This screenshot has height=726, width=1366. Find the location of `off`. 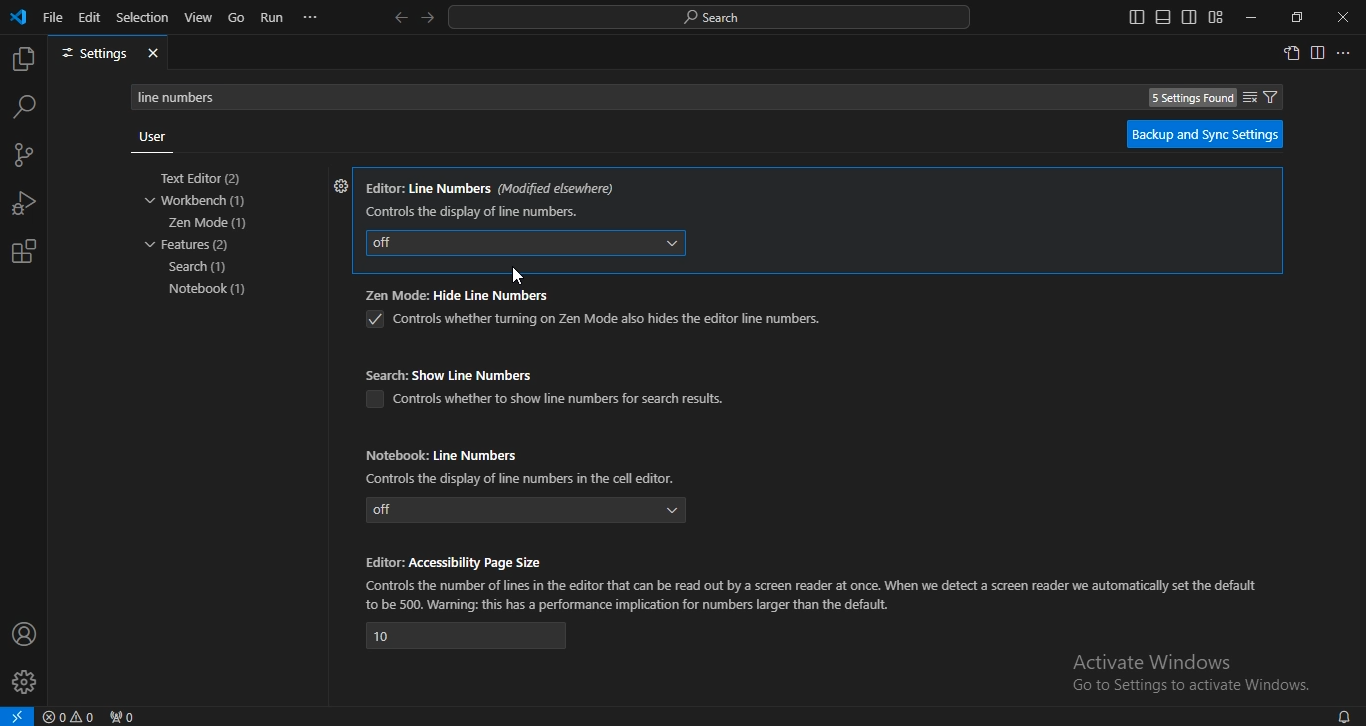

off is located at coordinates (527, 510).